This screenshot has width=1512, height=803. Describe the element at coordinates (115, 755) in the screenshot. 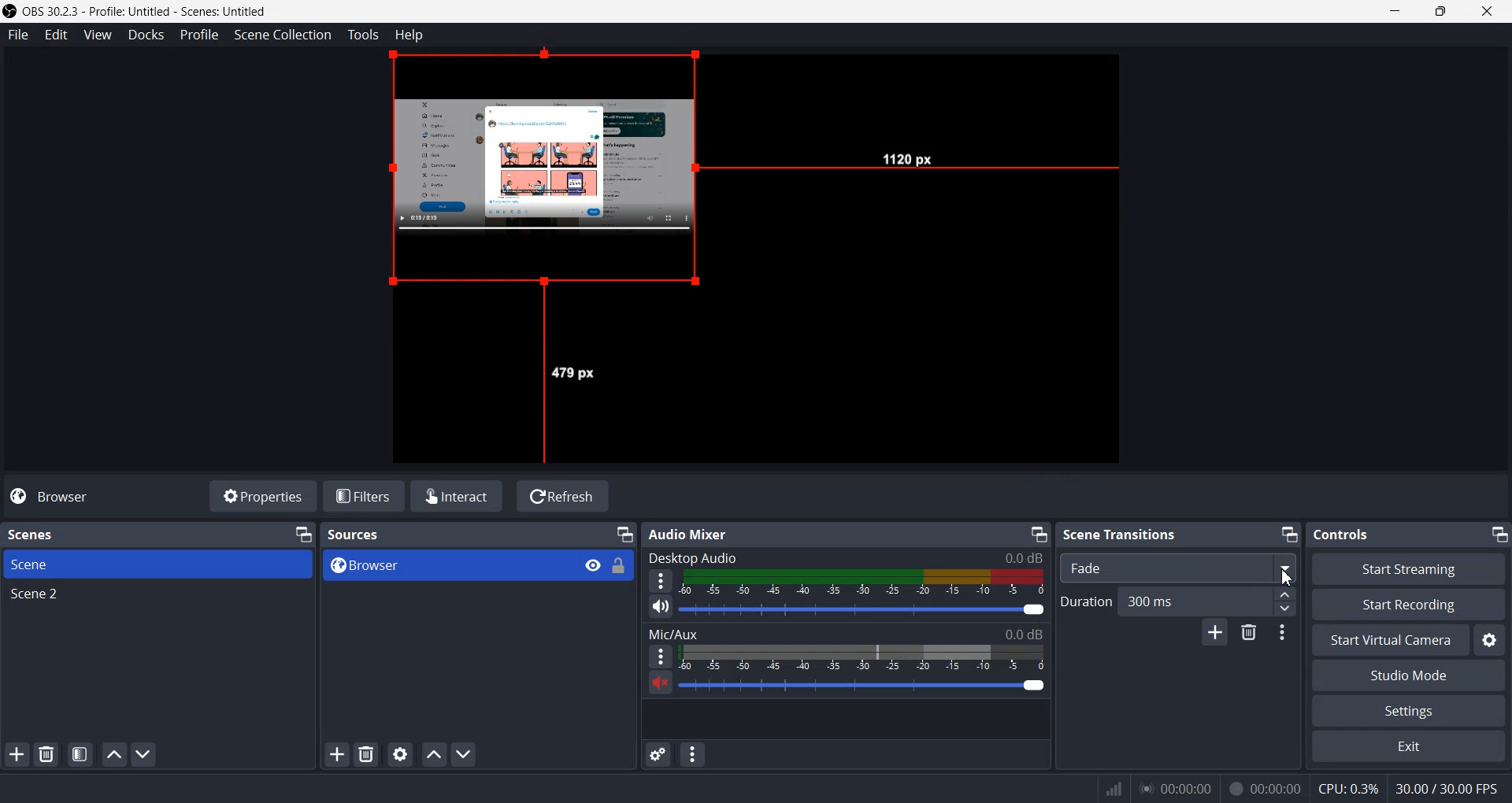

I see `Move scene up` at that location.